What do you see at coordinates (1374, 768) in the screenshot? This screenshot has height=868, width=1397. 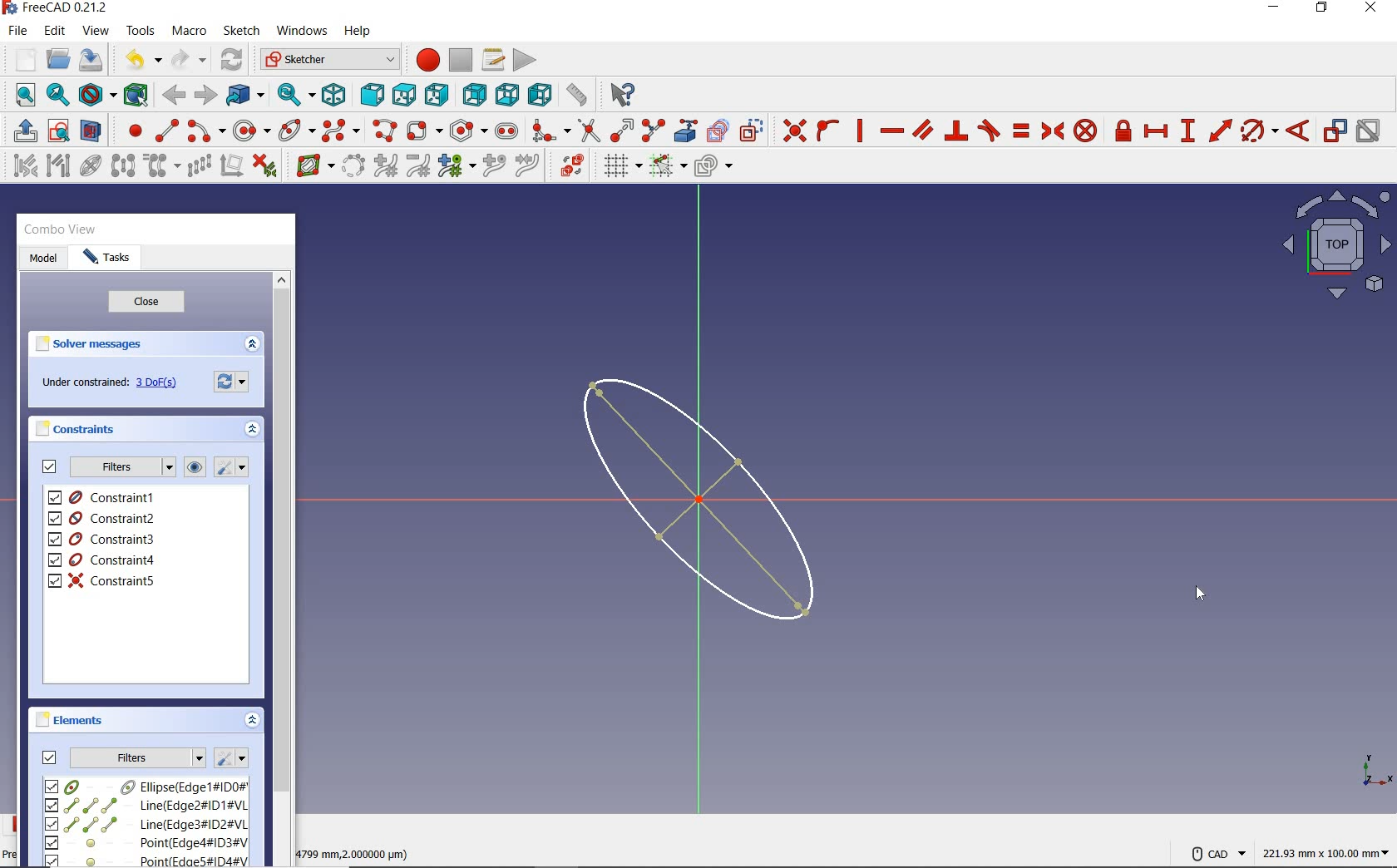 I see `xyz` at bounding box center [1374, 768].